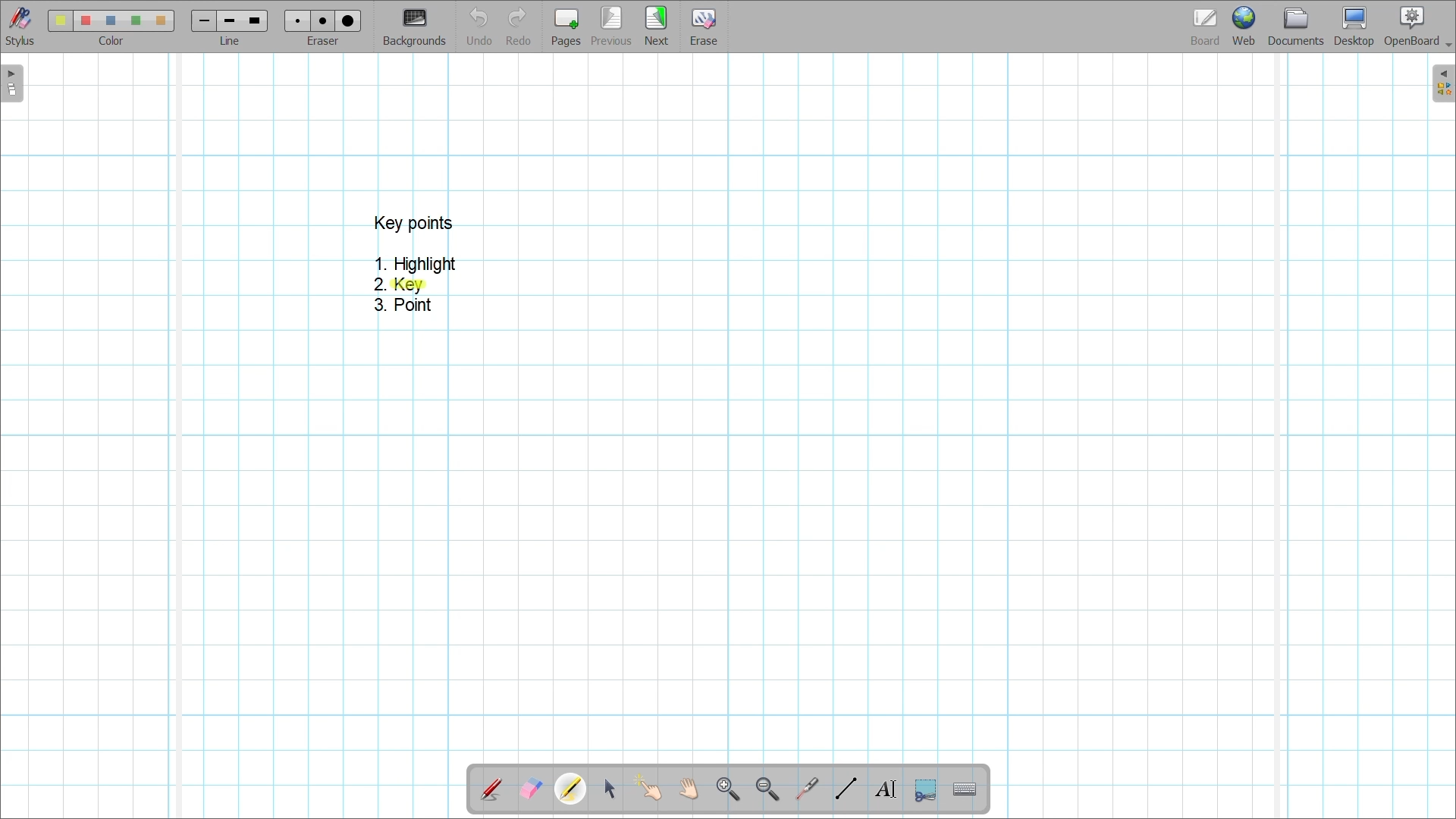 The height and width of the screenshot is (819, 1456). Describe the element at coordinates (570, 789) in the screenshot. I see `Highlighter` at that location.